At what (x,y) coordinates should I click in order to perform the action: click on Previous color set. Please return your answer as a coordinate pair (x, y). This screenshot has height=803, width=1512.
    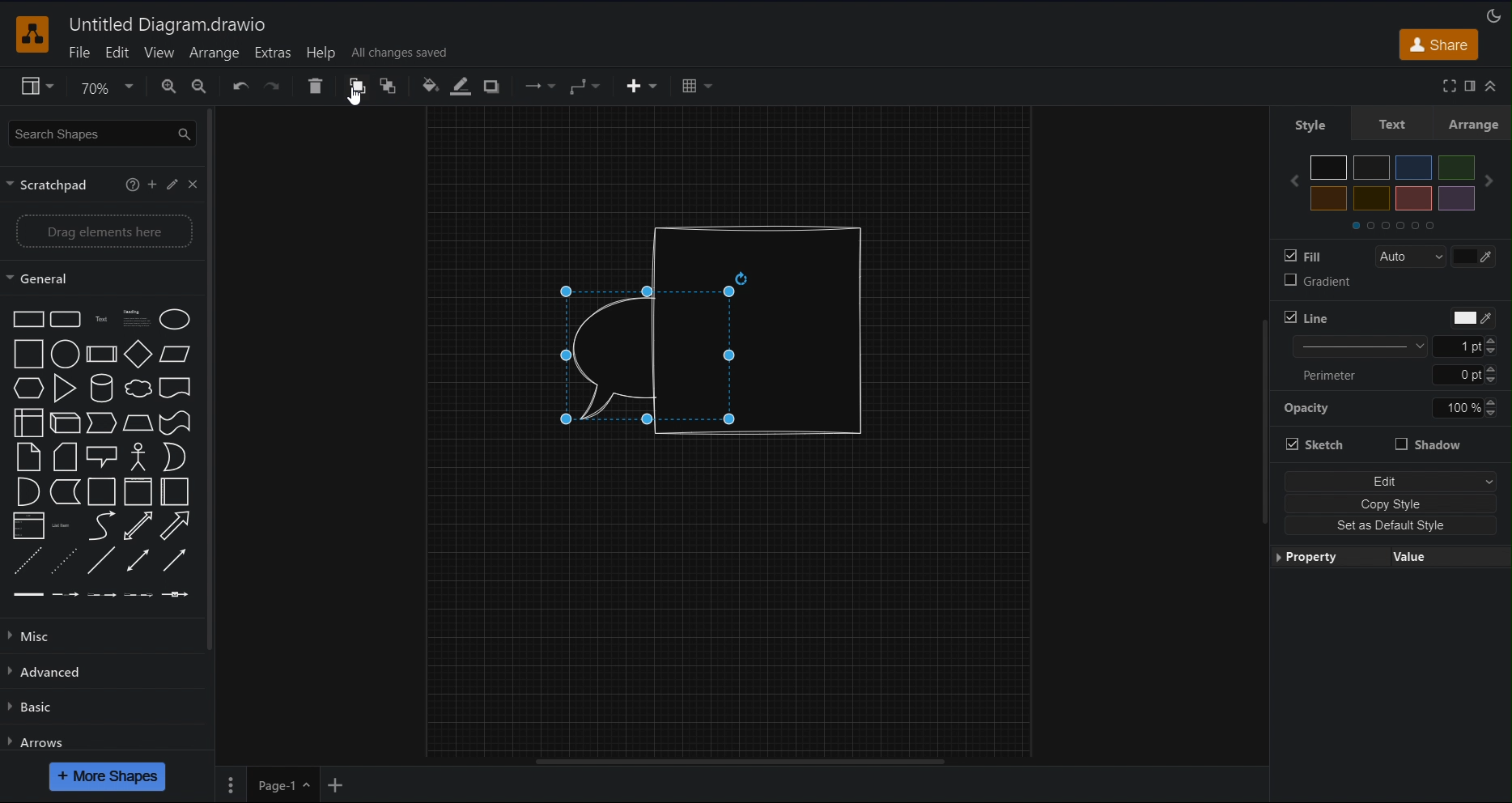
    Looking at the image, I should click on (1293, 181).